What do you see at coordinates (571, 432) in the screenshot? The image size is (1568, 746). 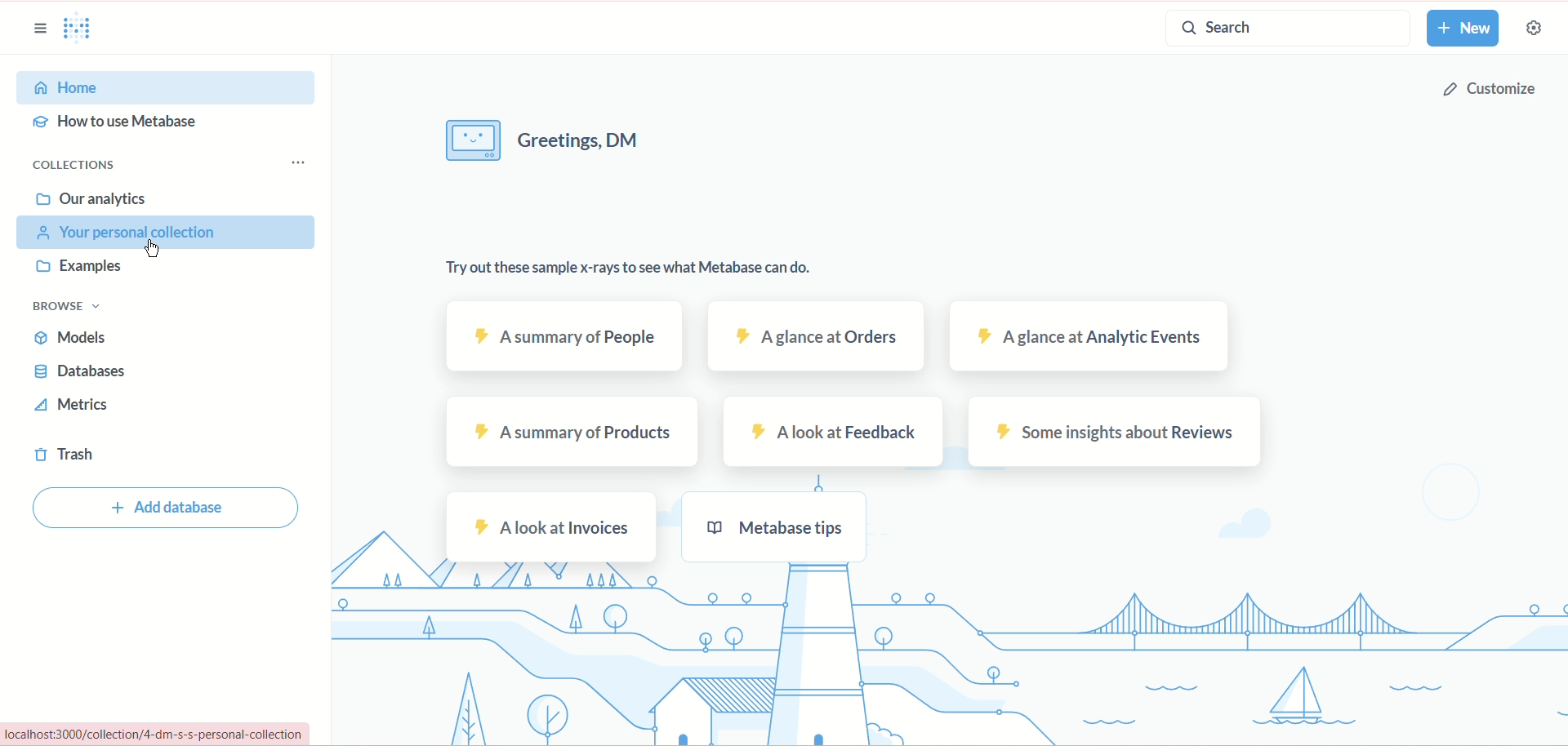 I see `A summary of Products` at bounding box center [571, 432].